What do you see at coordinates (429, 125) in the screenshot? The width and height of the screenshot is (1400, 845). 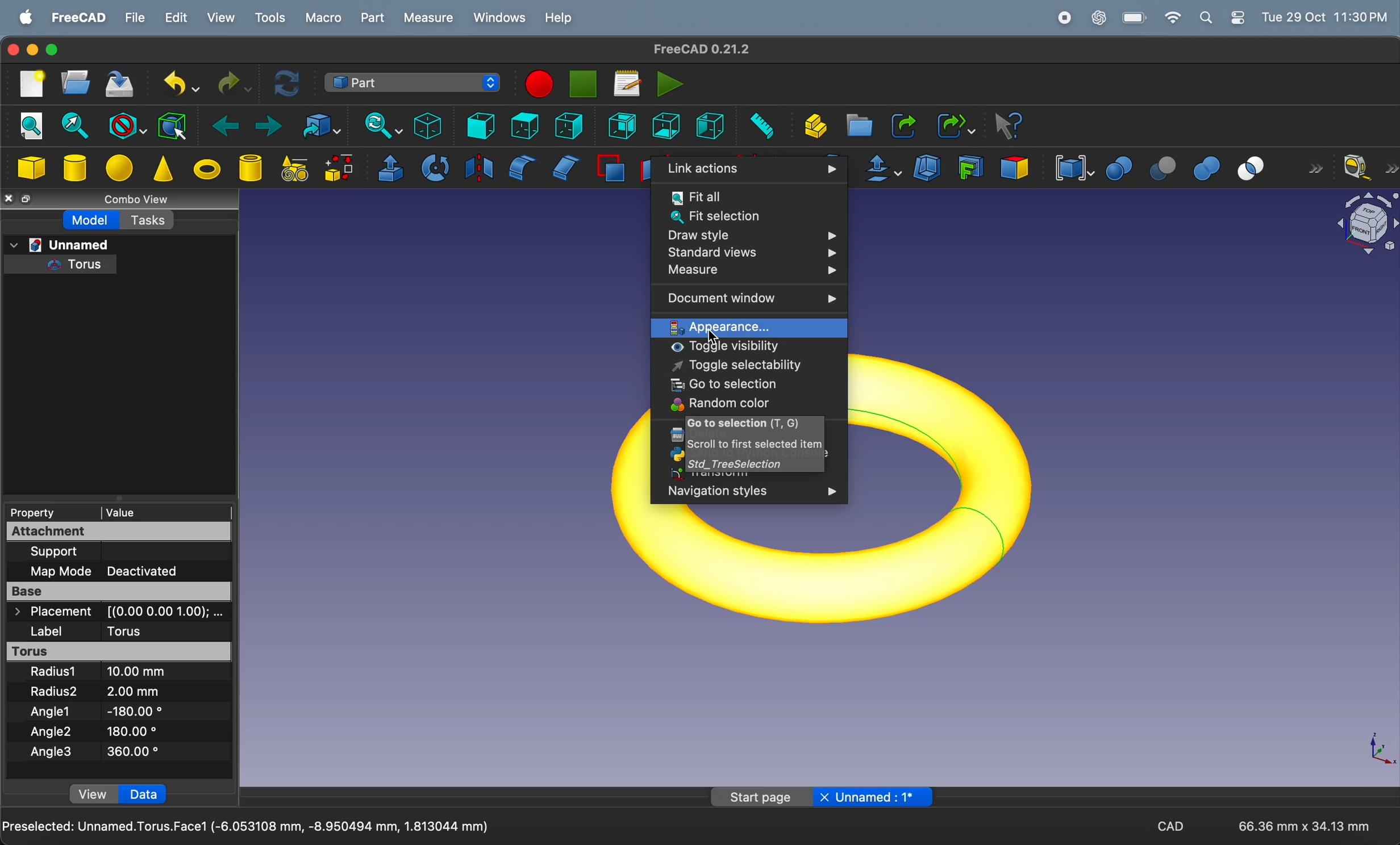 I see `isometric view` at bounding box center [429, 125].